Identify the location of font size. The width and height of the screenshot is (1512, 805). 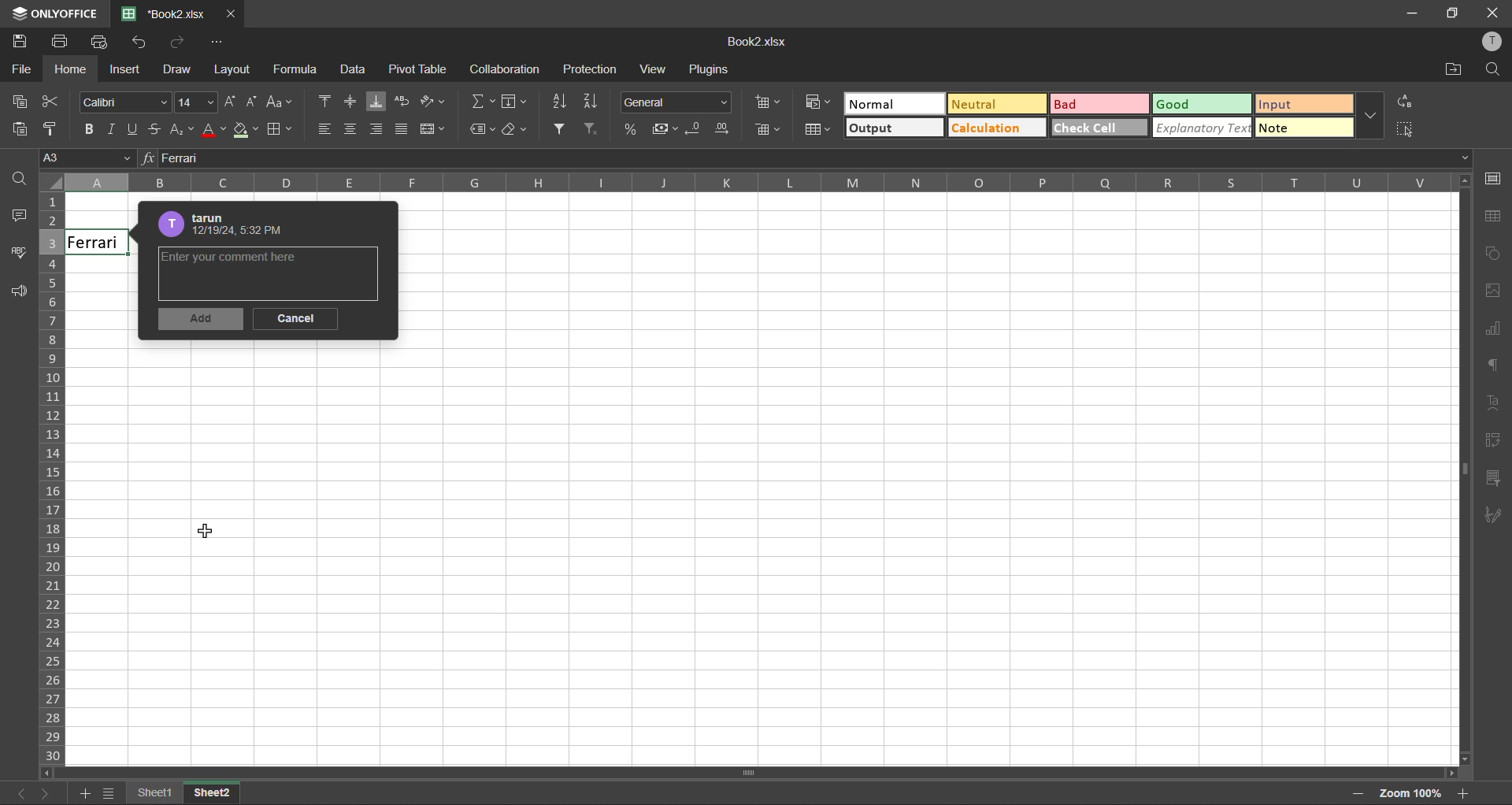
(197, 102).